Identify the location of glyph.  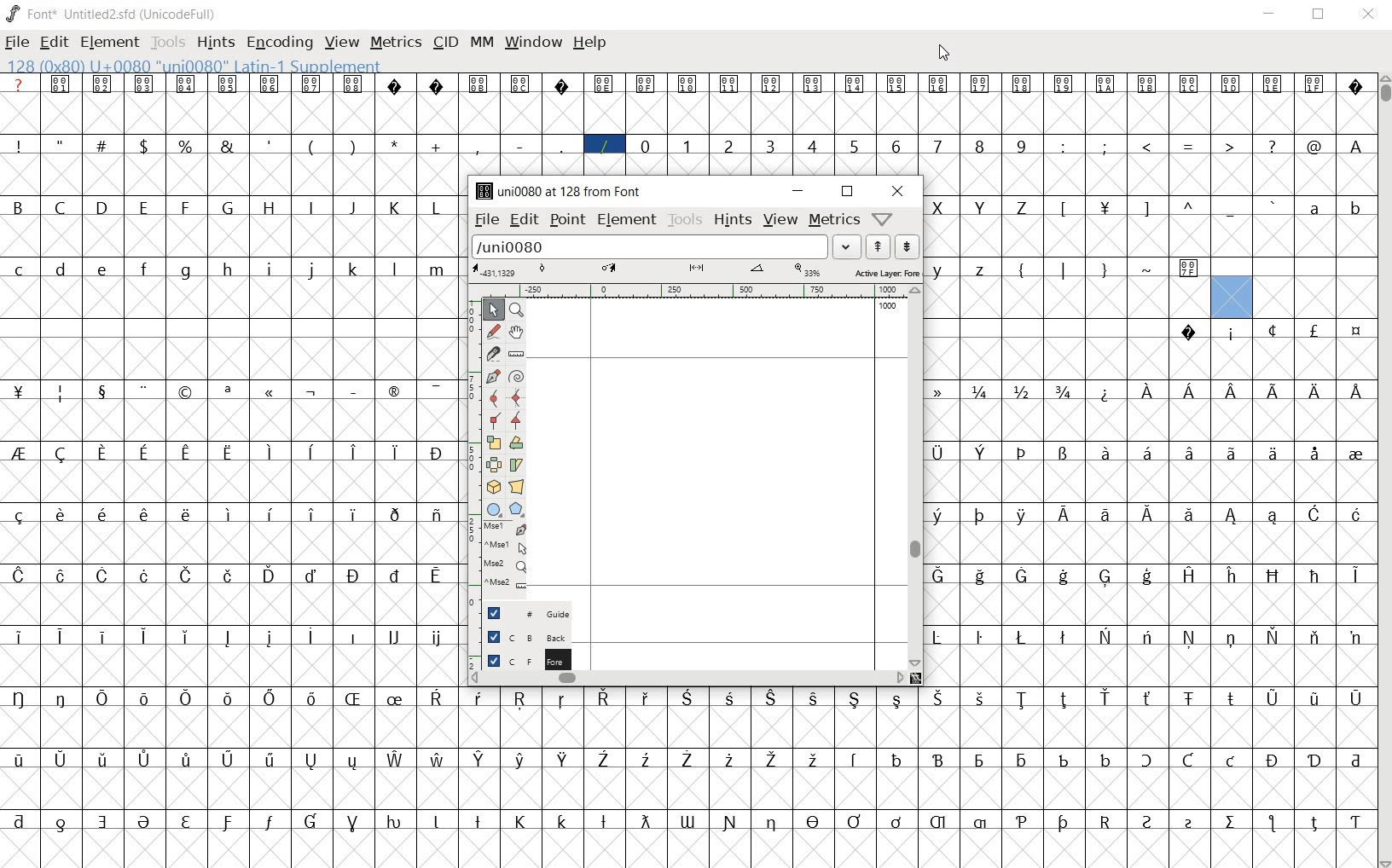
(17, 206).